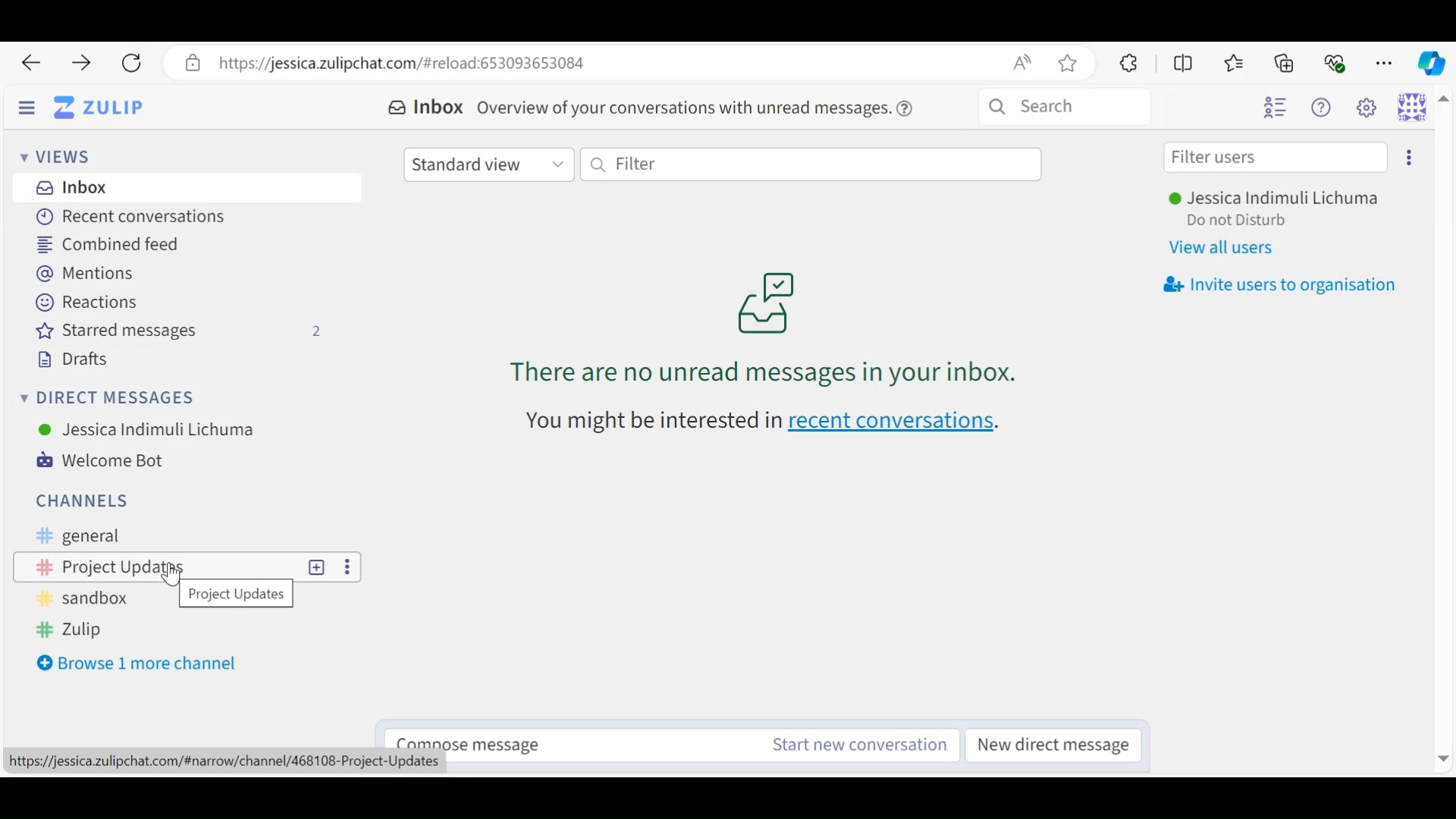 The width and height of the screenshot is (1456, 819). I want to click on Views, so click(61, 158).